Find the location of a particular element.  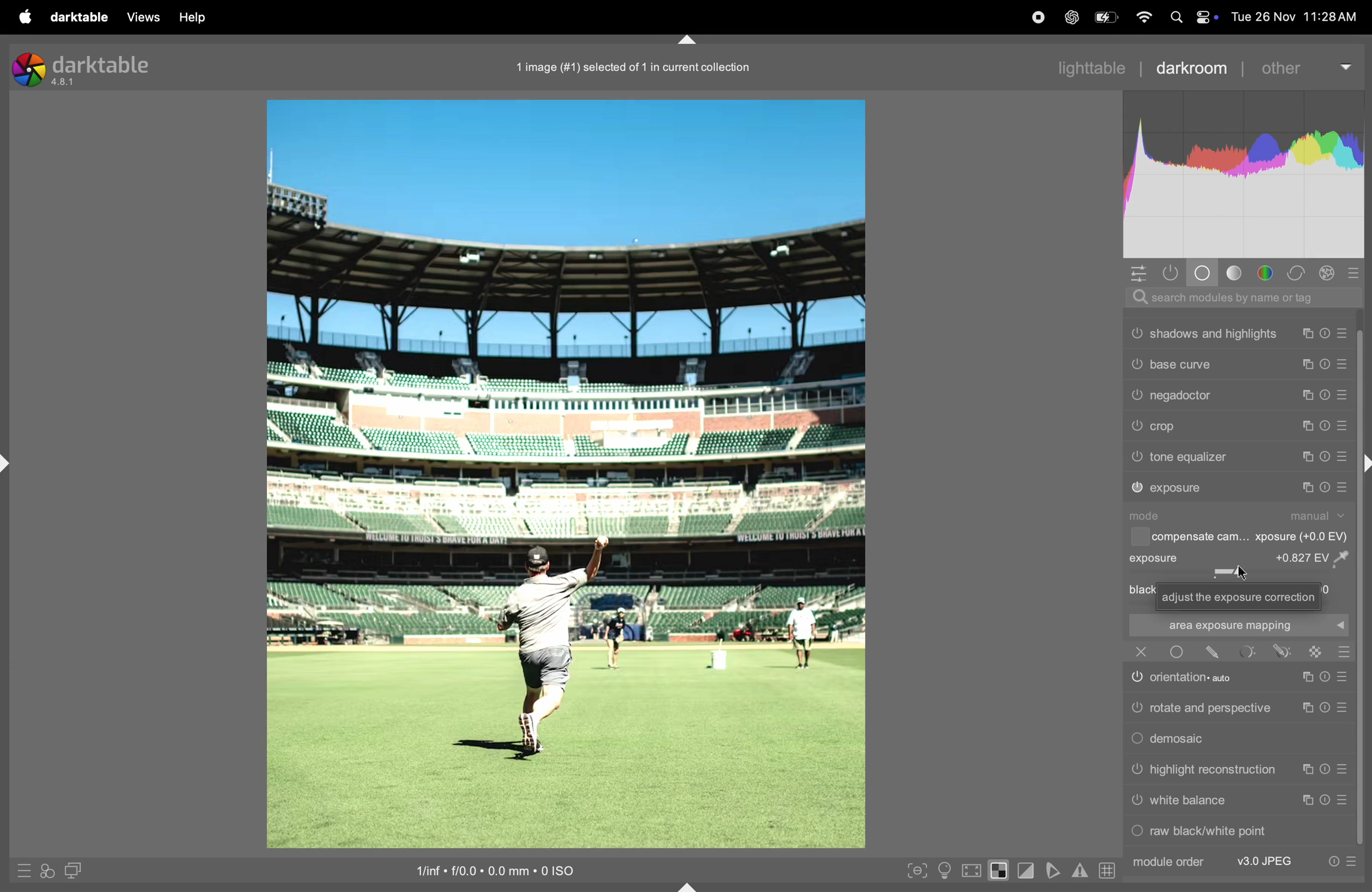

Switch on or off is located at coordinates (1136, 770).